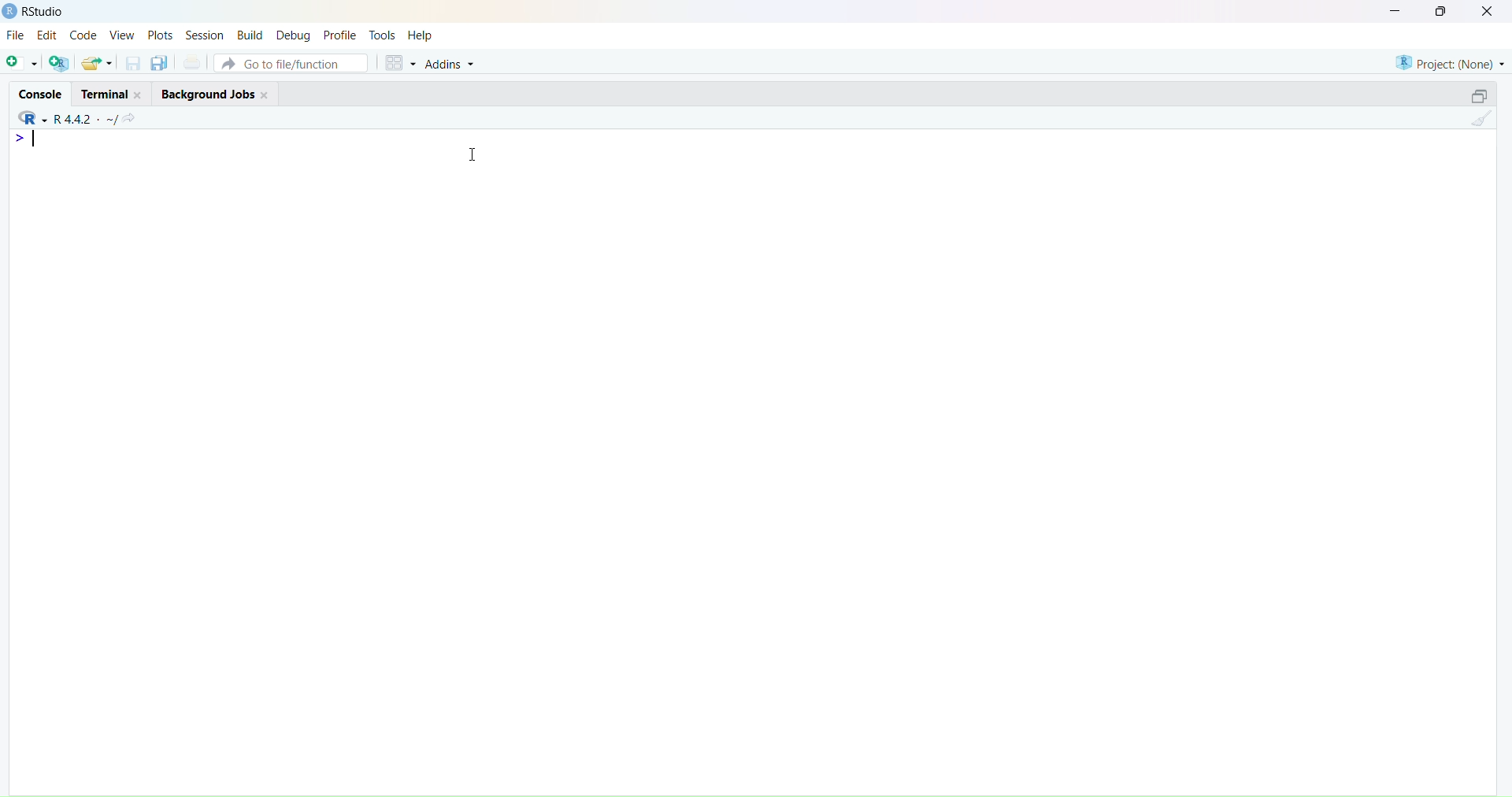  Describe the element at coordinates (1488, 11) in the screenshot. I see `close` at that location.